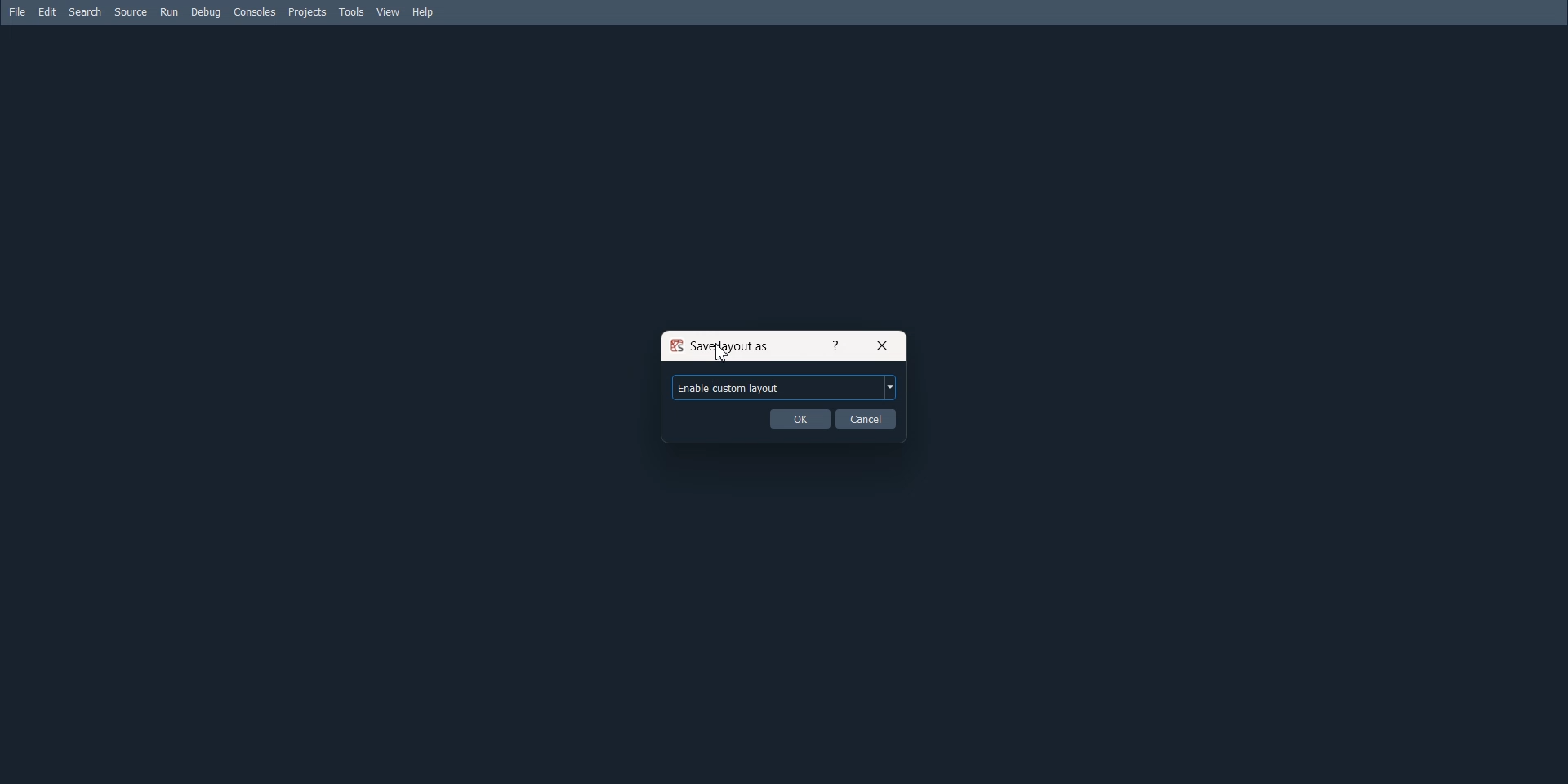  What do you see at coordinates (800, 418) in the screenshot?
I see `OK` at bounding box center [800, 418].